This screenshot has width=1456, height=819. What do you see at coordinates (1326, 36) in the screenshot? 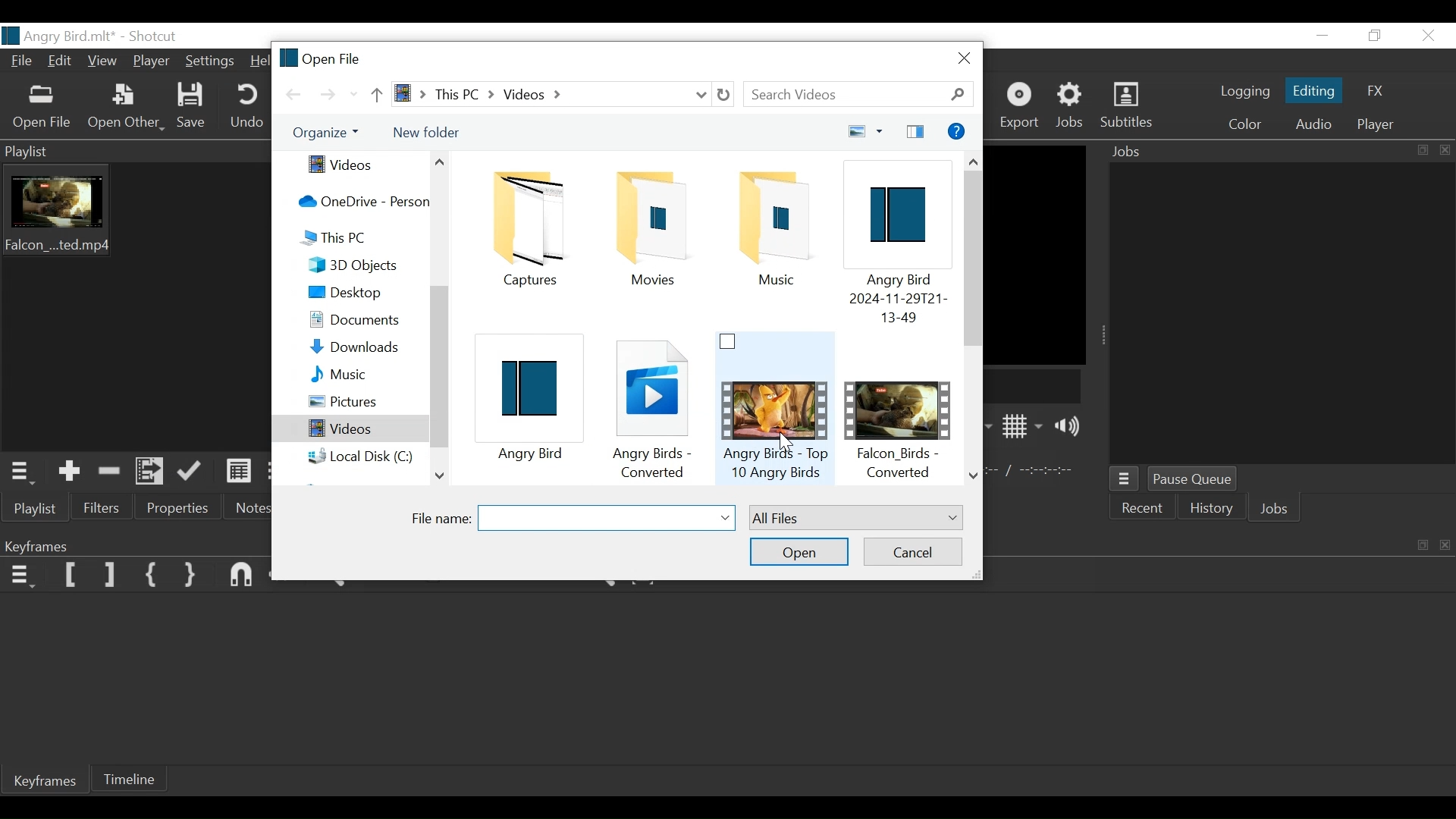
I see `Minimize` at bounding box center [1326, 36].